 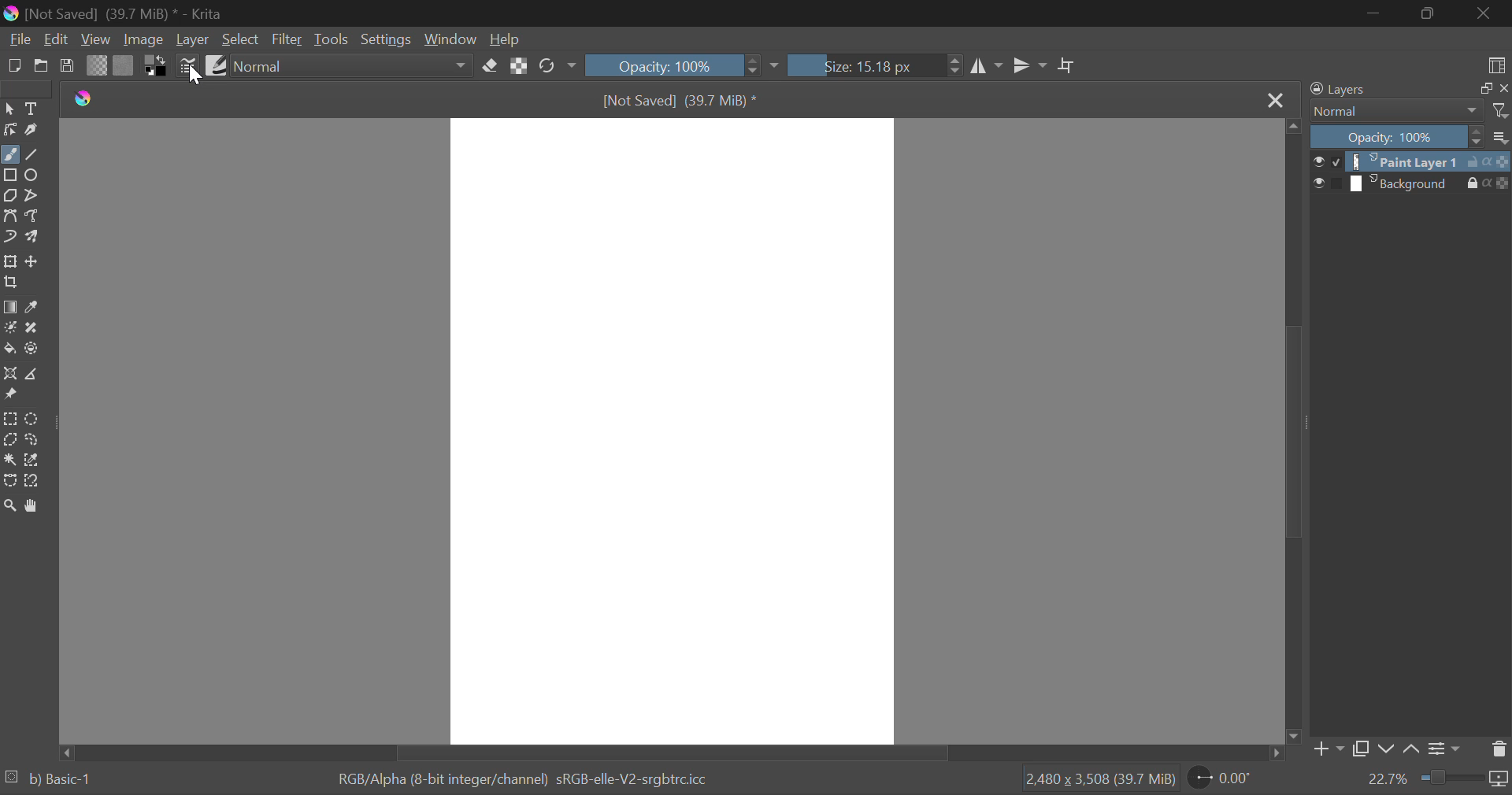 What do you see at coordinates (1499, 65) in the screenshot?
I see `Choose Workspace` at bounding box center [1499, 65].